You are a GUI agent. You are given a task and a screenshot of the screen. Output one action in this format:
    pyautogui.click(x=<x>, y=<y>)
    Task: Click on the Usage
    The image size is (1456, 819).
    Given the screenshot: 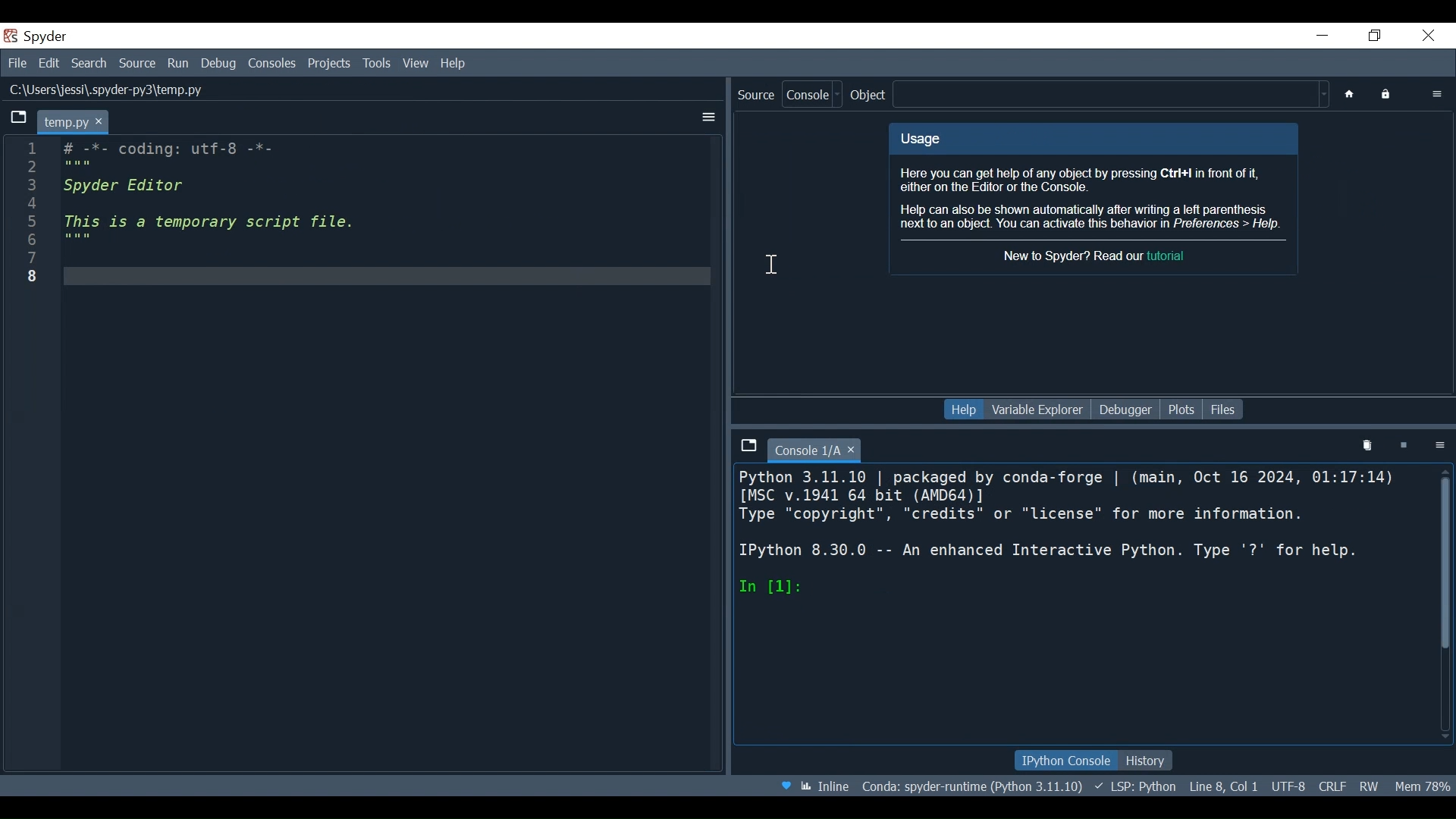 What is the action you would take?
    pyautogui.click(x=1093, y=139)
    